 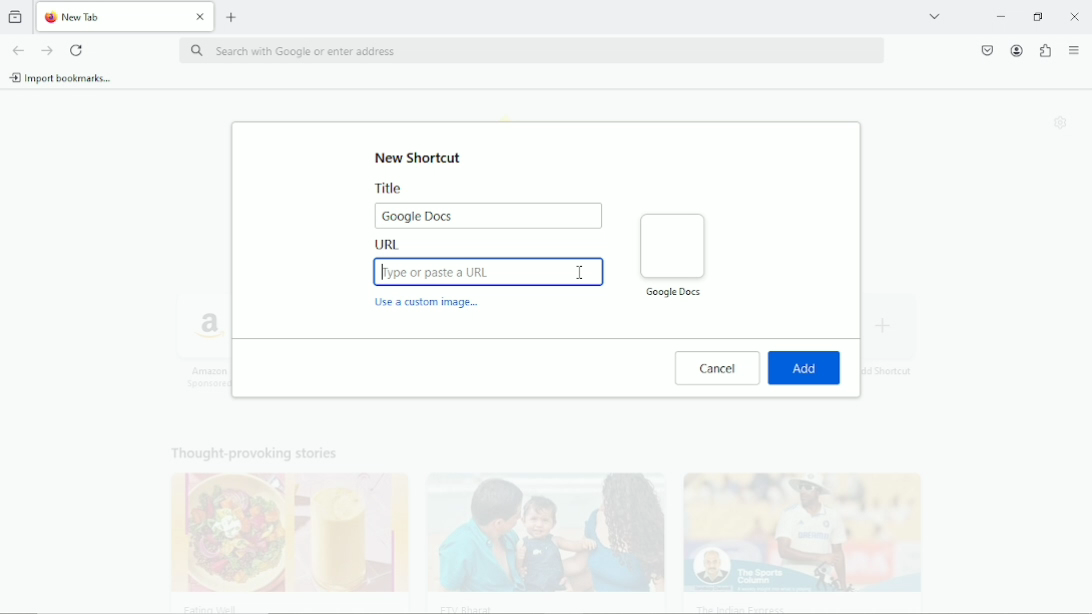 I want to click on minimize, so click(x=999, y=17).